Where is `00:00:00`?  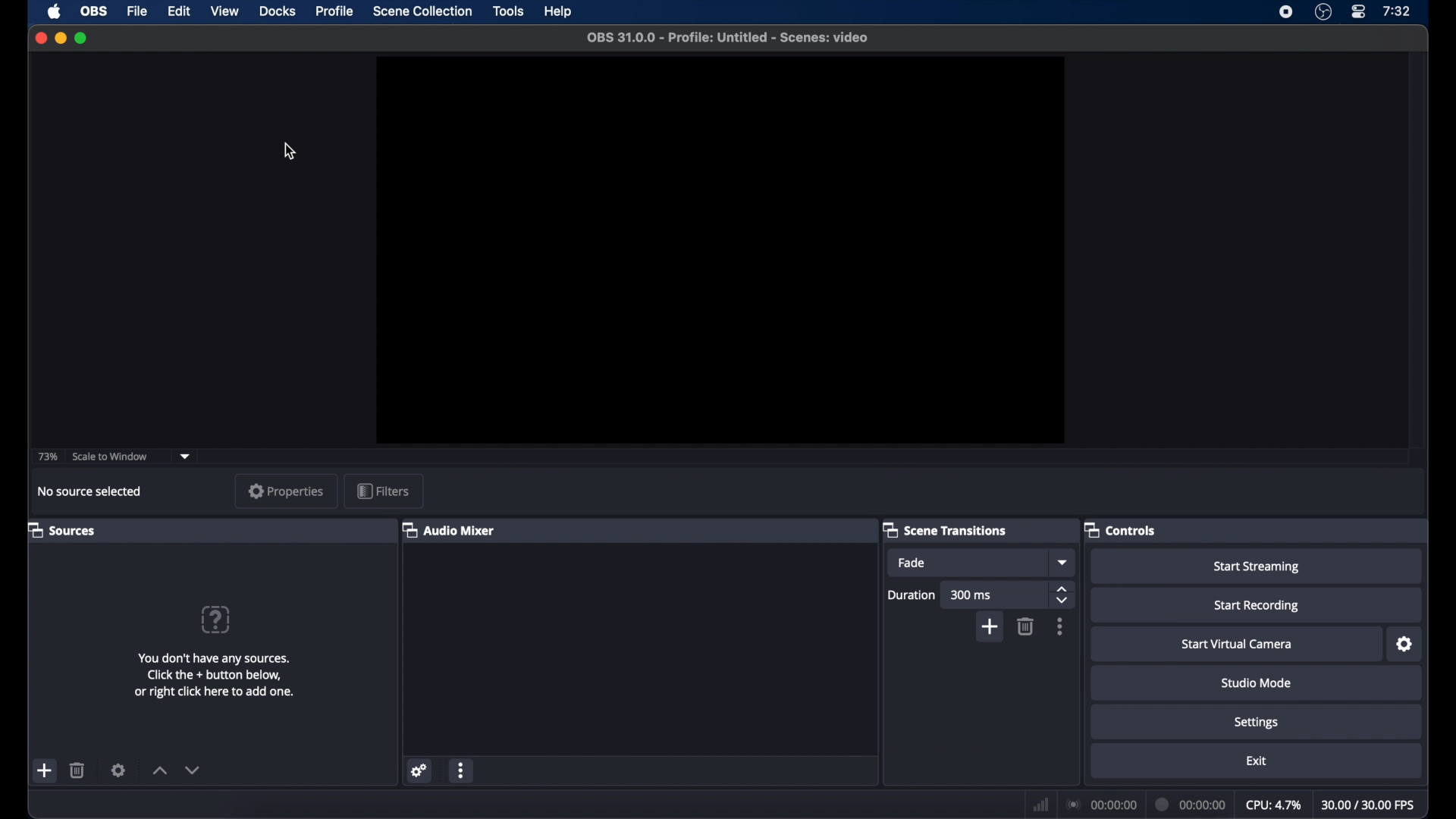
00:00:00 is located at coordinates (1191, 803).